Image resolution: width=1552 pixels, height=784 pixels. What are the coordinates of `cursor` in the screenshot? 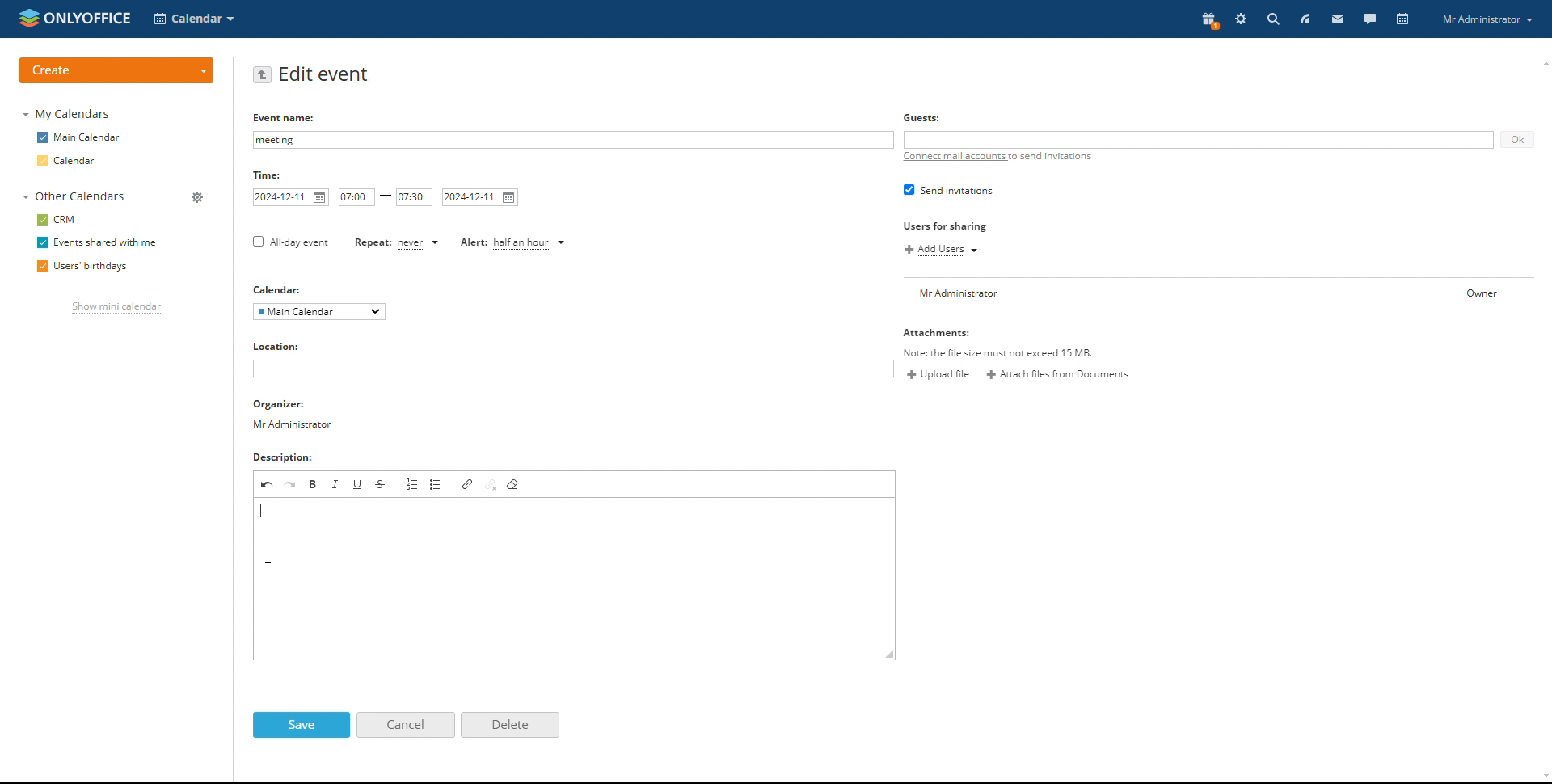 It's located at (273, 555).